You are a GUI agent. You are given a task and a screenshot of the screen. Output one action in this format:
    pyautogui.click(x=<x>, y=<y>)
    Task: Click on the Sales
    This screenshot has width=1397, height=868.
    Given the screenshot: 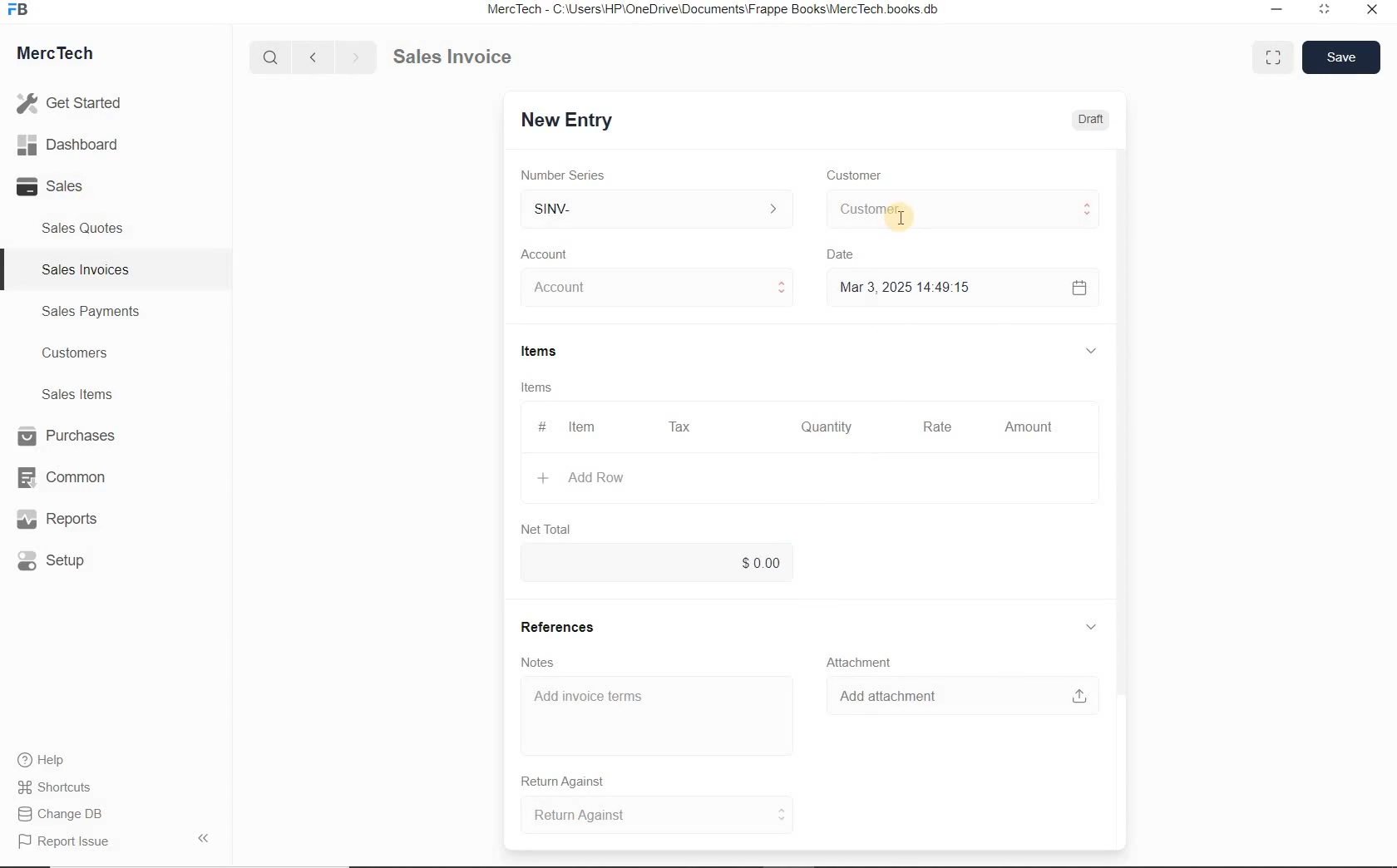 What is the action you would take?
    pyautogui.click(x=75, y=186)
    